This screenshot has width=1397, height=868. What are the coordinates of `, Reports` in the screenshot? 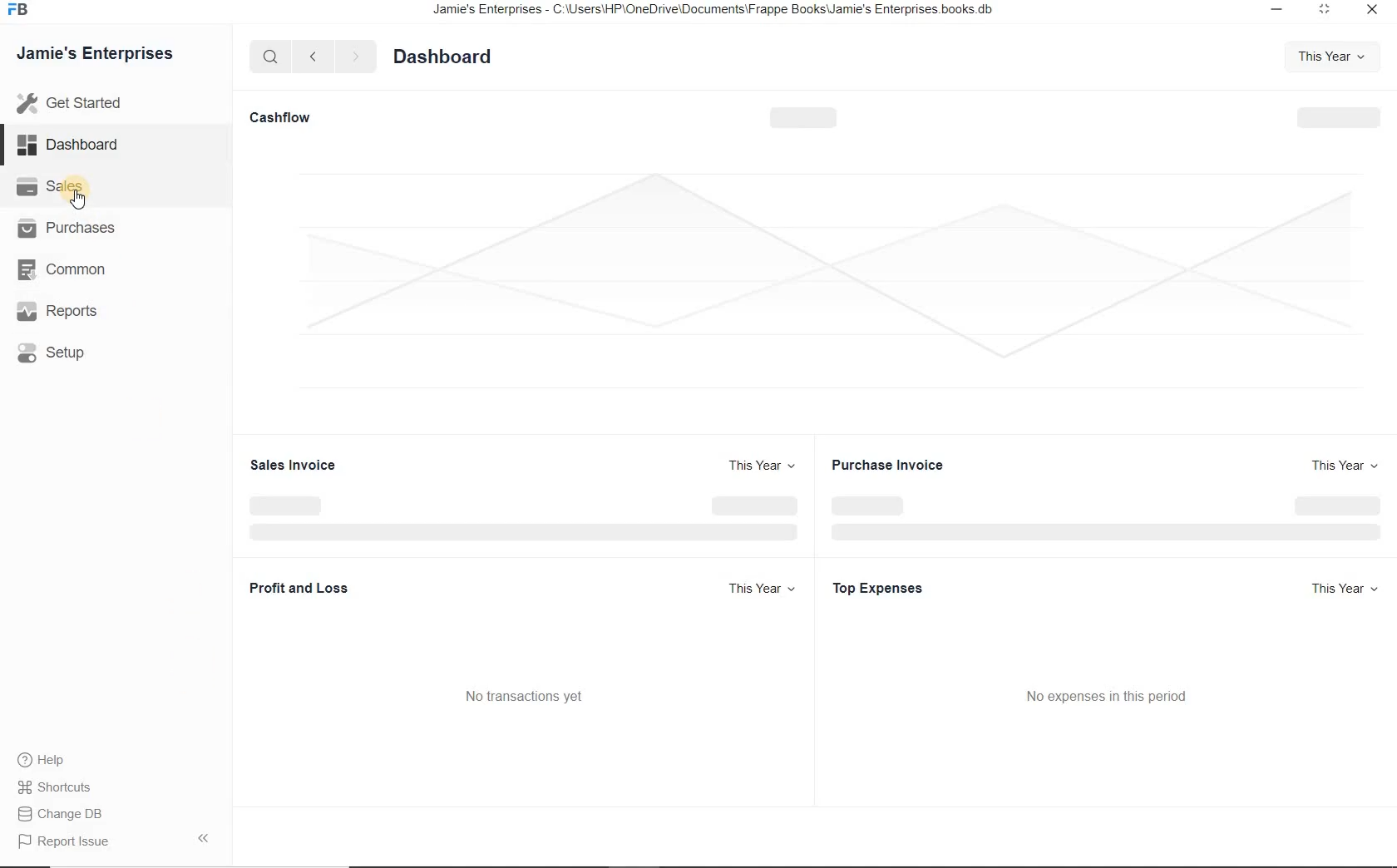 It's located at (70, 312).